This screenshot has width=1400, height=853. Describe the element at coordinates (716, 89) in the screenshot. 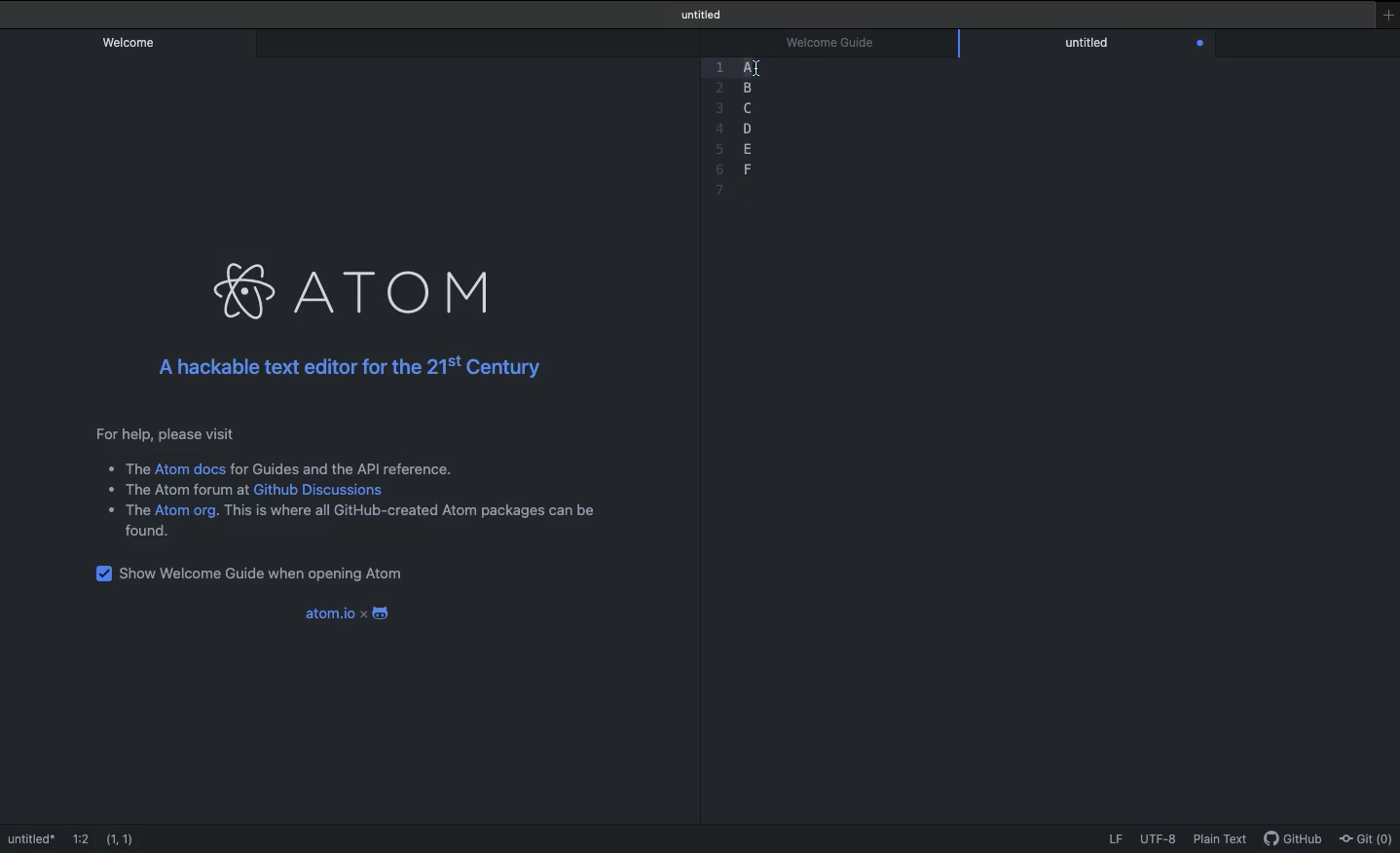

I see `` at that location.